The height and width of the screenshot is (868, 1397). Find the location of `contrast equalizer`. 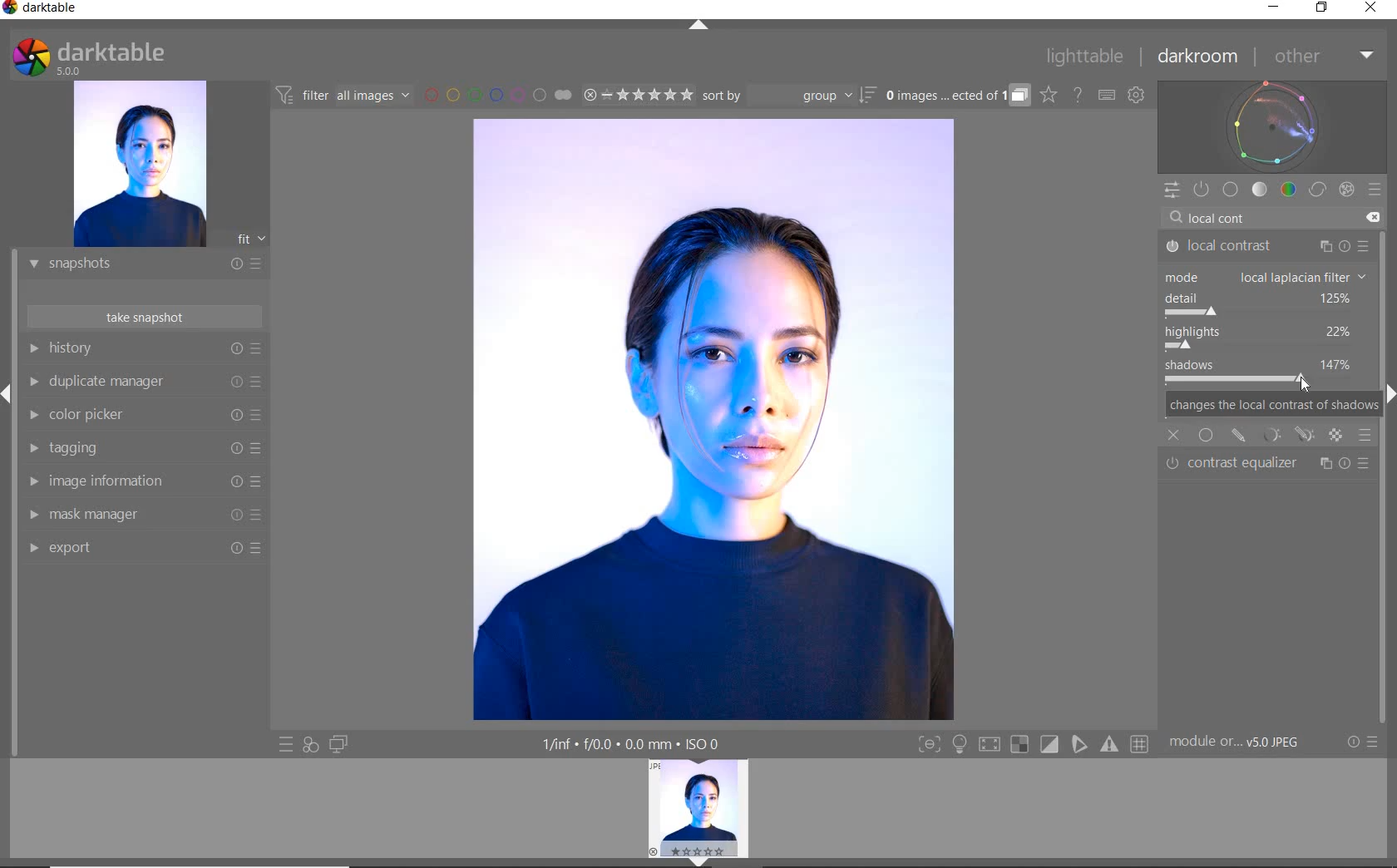

contrast equalizer is located at coordinates (1269, 464).